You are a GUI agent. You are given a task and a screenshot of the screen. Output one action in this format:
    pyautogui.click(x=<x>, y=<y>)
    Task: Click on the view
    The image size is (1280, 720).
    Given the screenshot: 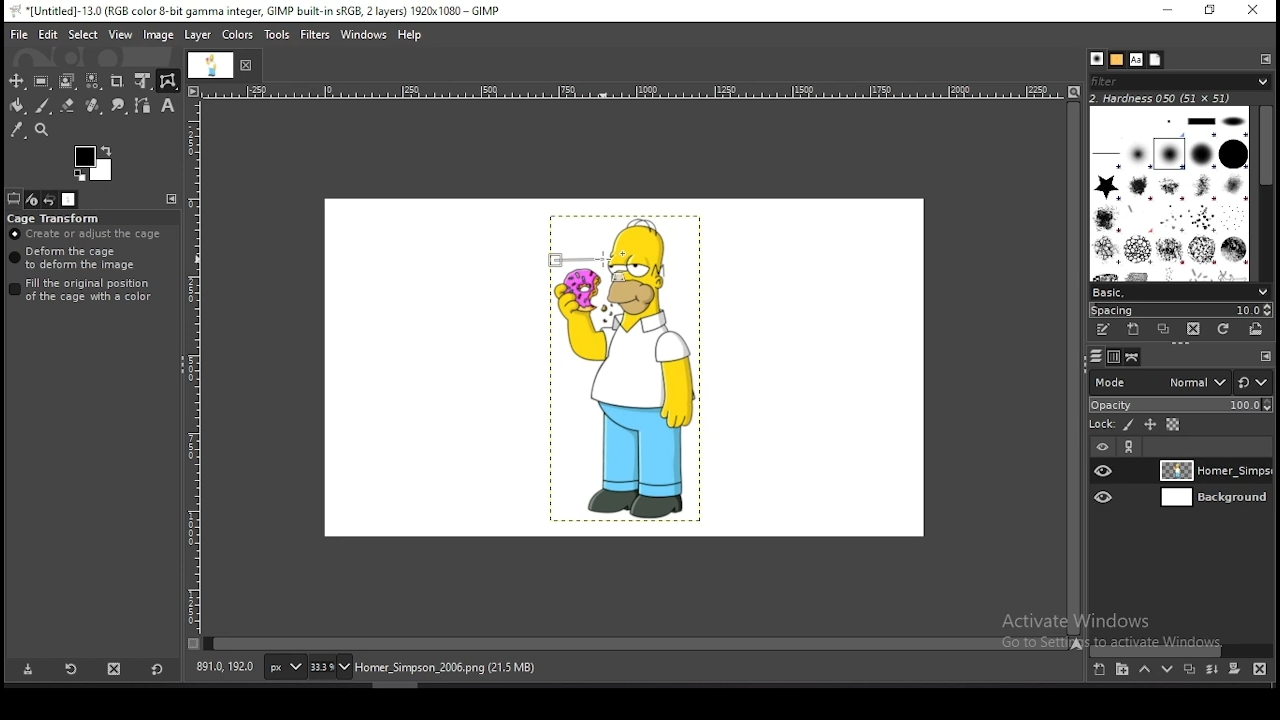 What is the action you would take?
    pyautogui.click(x=121, y=34)
    